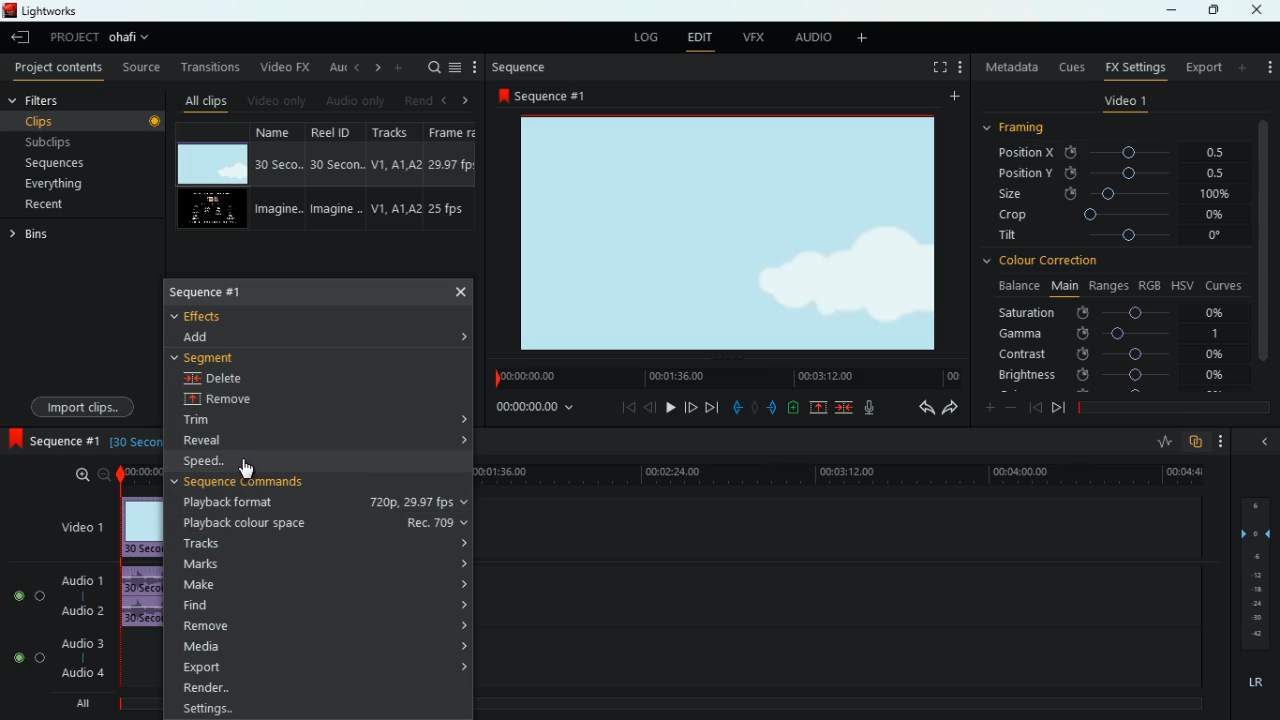 The height and width of the screenshot is (720, 1280). I want to click on remove, so click(226, 629).